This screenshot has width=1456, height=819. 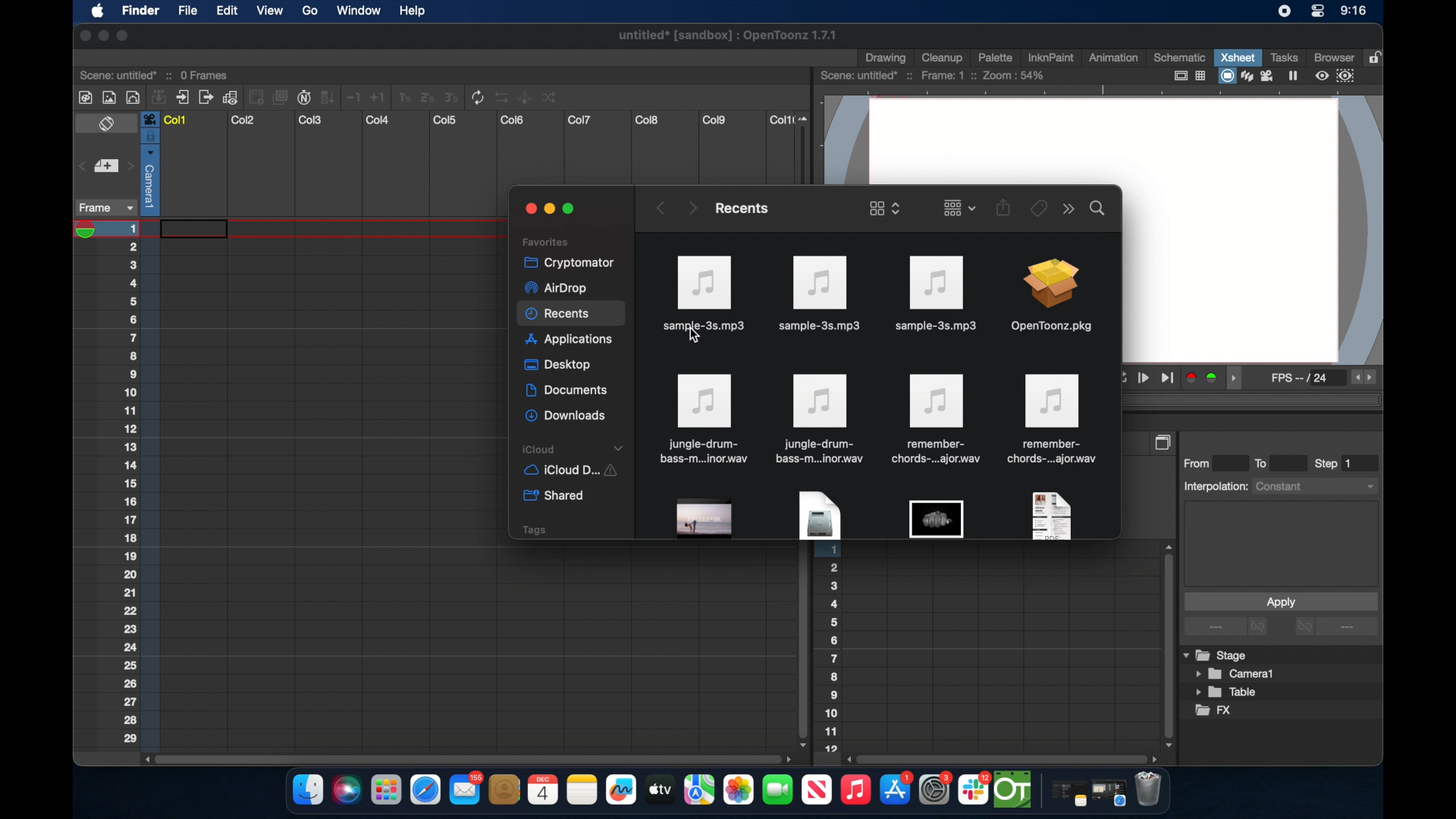 I want to click on stage, so click(x=1216, y=656).